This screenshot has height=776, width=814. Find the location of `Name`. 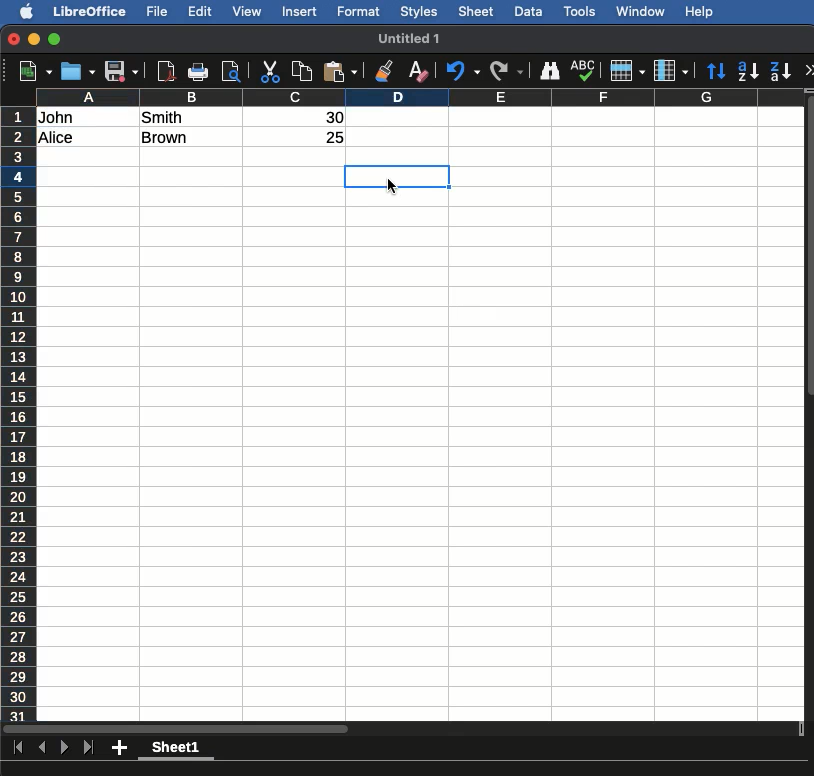

Name is located at coordinates (413, 40).